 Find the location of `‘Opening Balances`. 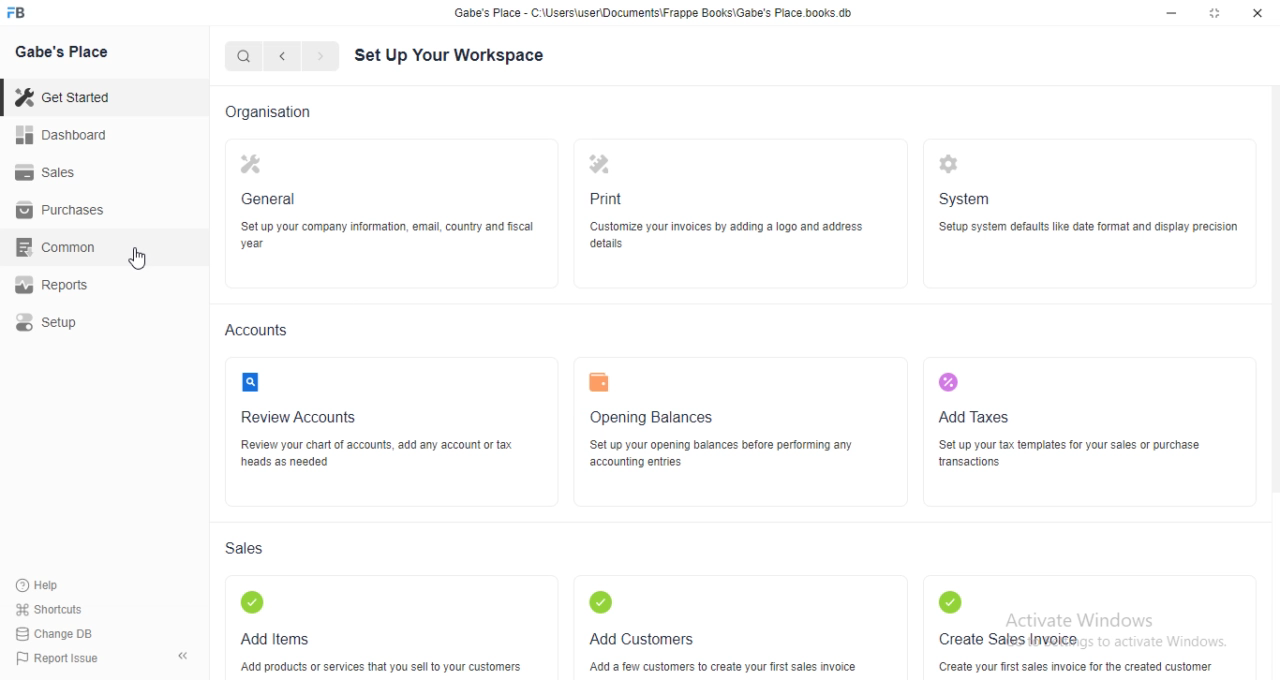

‘Opening Balances is located at coordinates (651, 398).